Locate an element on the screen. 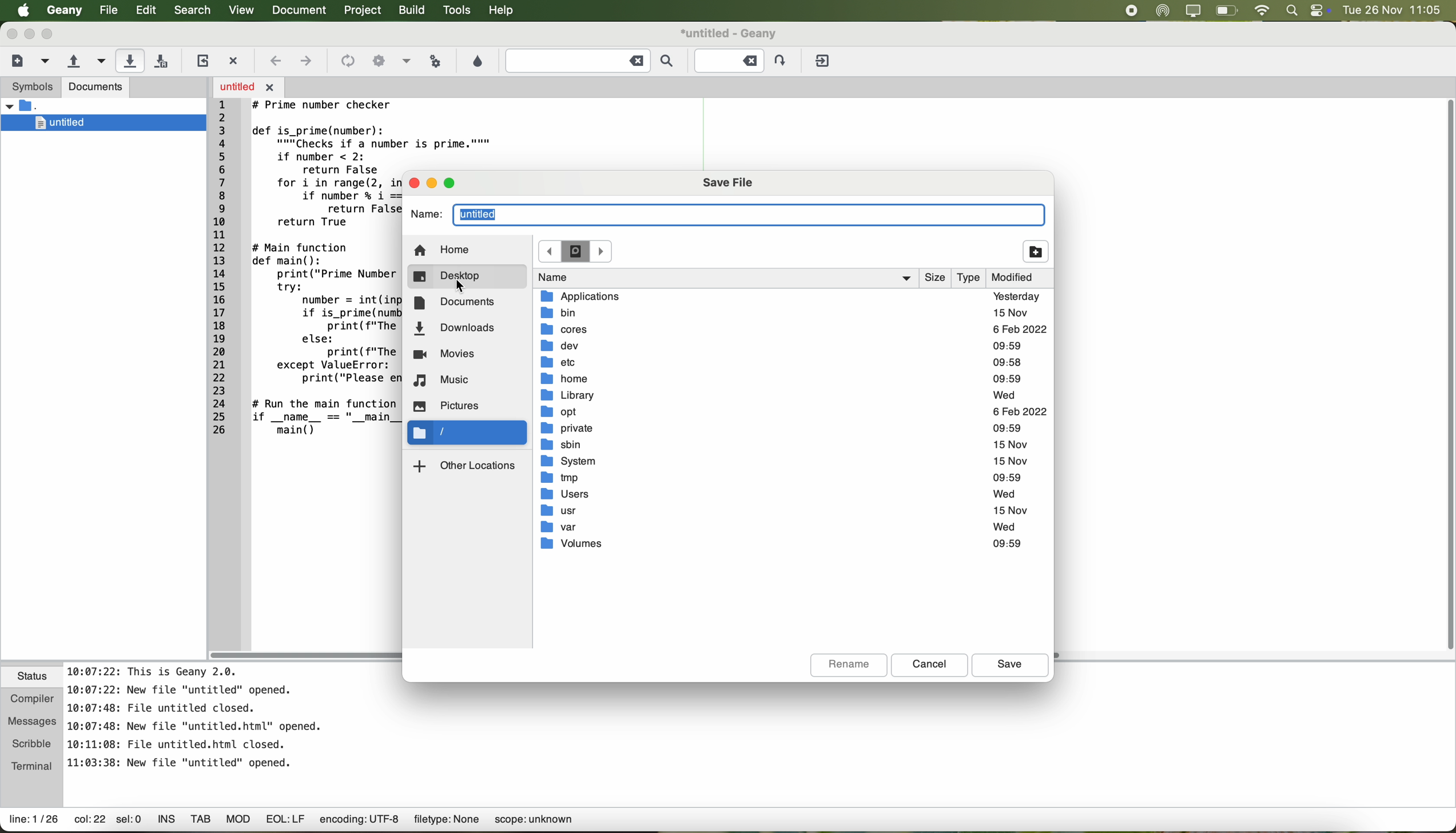 The width and height of the screenshot is (1456, 833). open a recent file is located at coordinates (99, 61).